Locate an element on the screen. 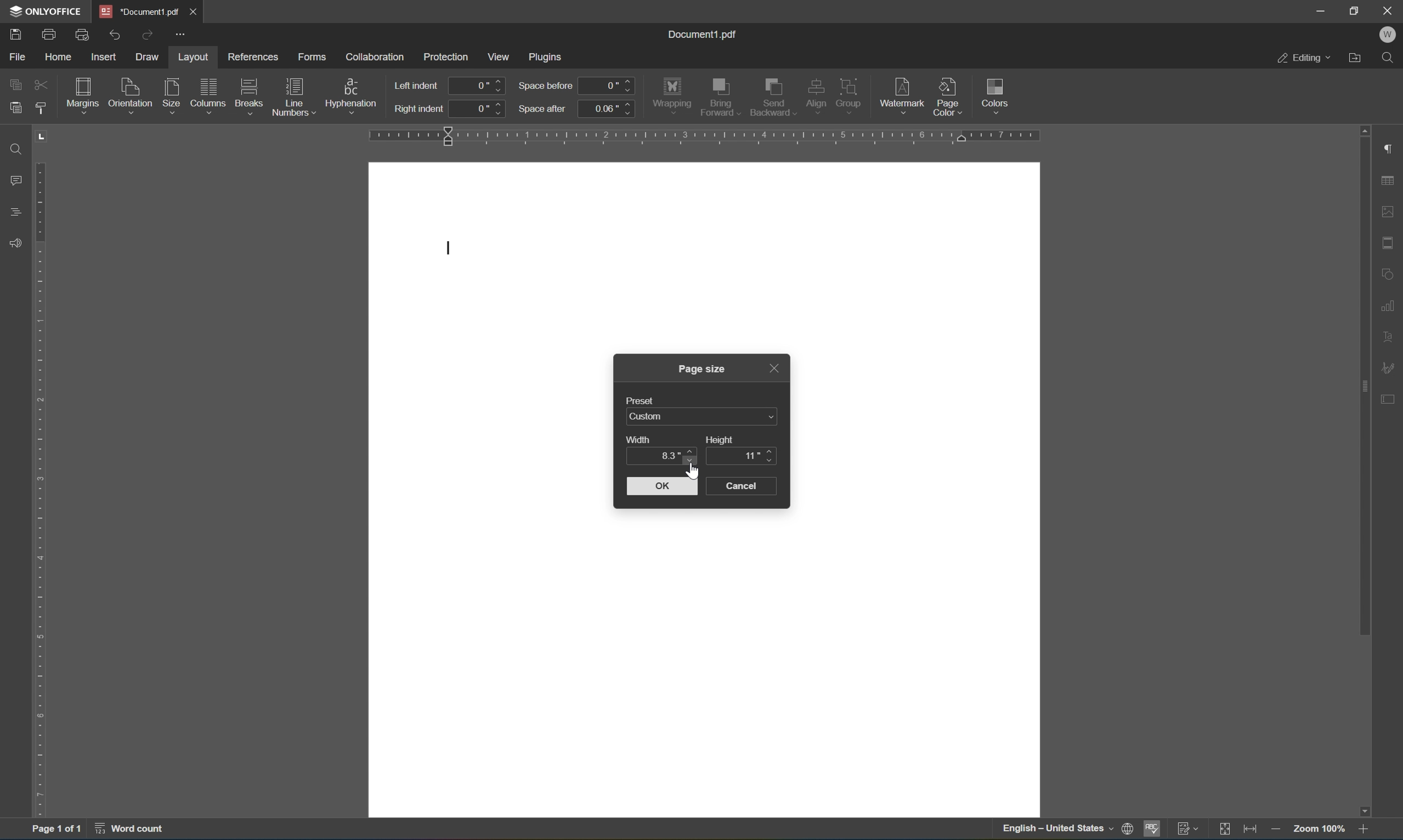 This screenshot has width=1403, height=840. fit to slide is located at coordinates (1229, 829).